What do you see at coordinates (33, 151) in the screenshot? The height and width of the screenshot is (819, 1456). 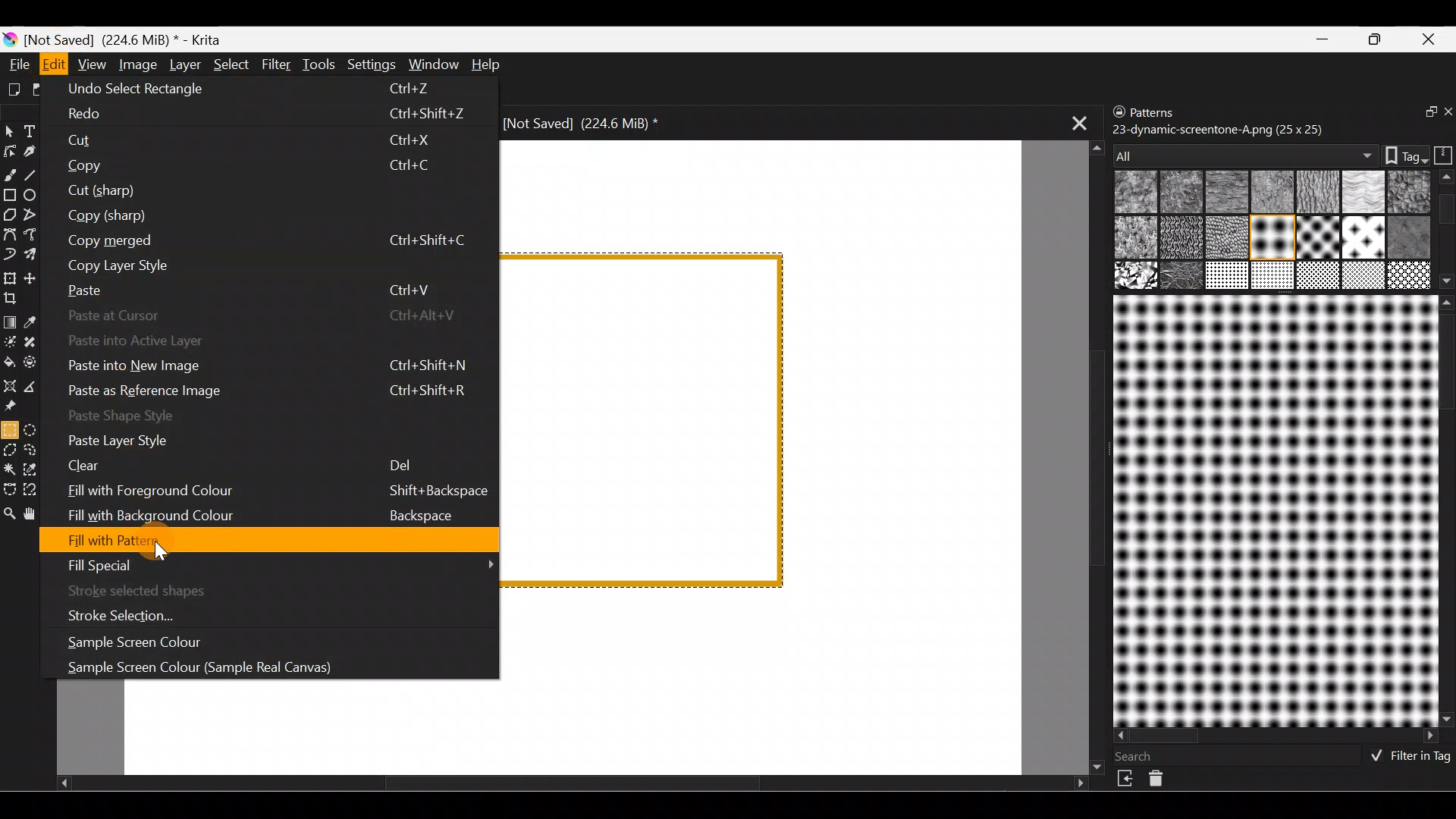 I see `Calligraphy` at bounding box center [33, 151].